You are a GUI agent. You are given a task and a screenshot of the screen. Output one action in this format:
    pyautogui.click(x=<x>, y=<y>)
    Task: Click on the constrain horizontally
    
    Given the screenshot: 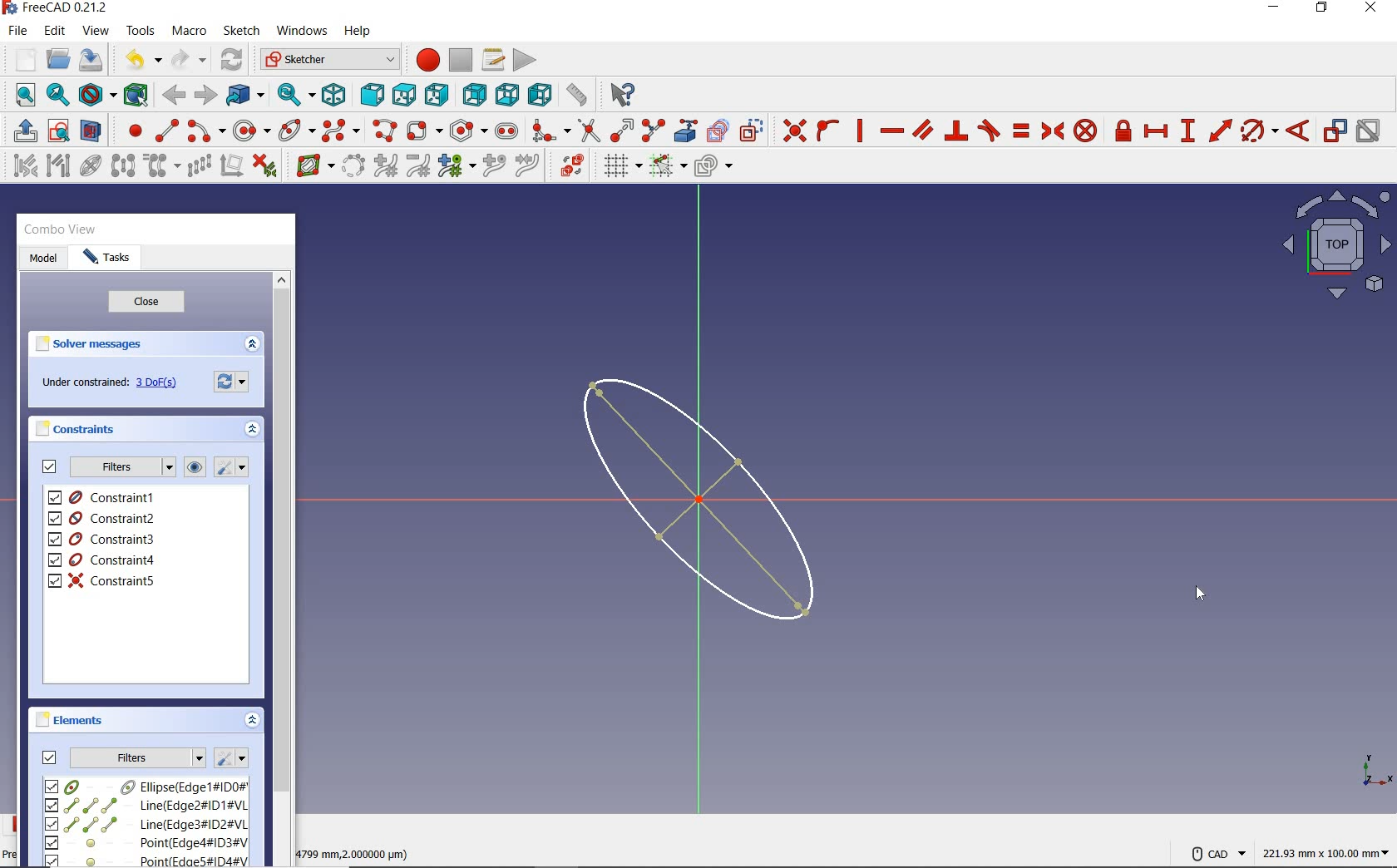 What is the action you would take?
    pyautogui.click(x=891, y=131)
    